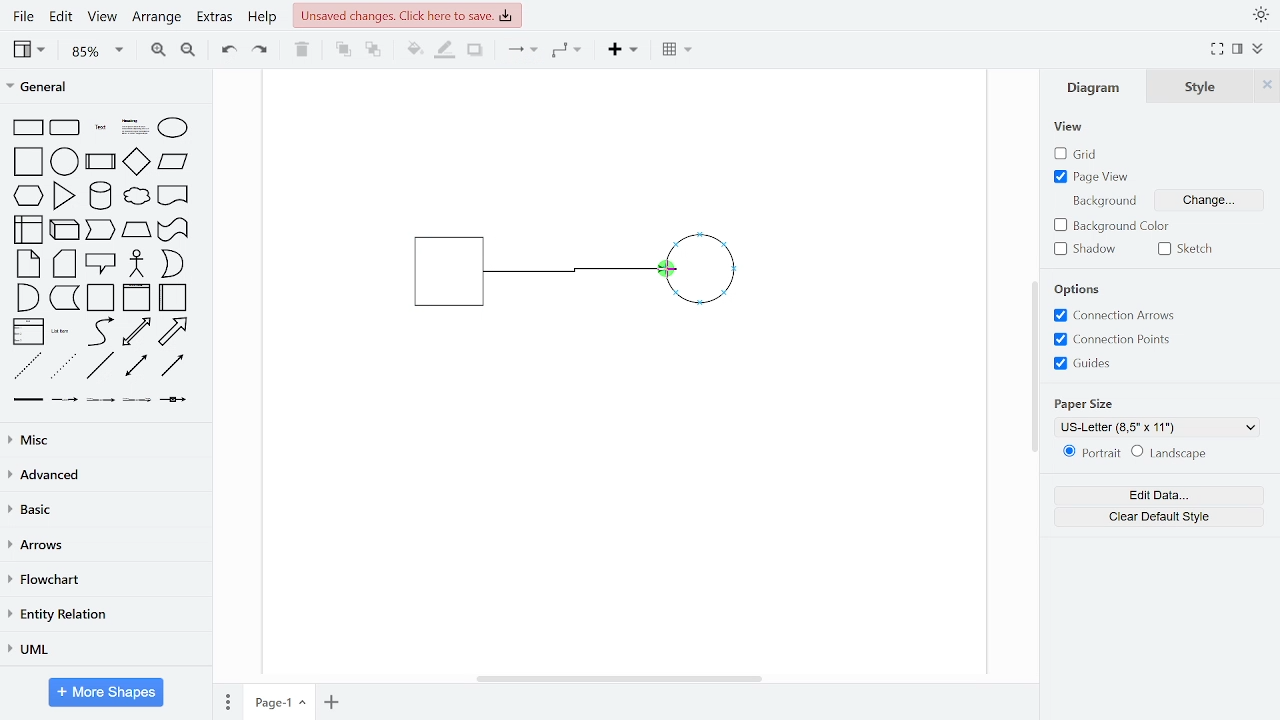 This screenshot has height=720, width=1280. What do you see at coordinates (28, 128) in the screenshot?
I see `rectangle` at bounding box center [28, 128].